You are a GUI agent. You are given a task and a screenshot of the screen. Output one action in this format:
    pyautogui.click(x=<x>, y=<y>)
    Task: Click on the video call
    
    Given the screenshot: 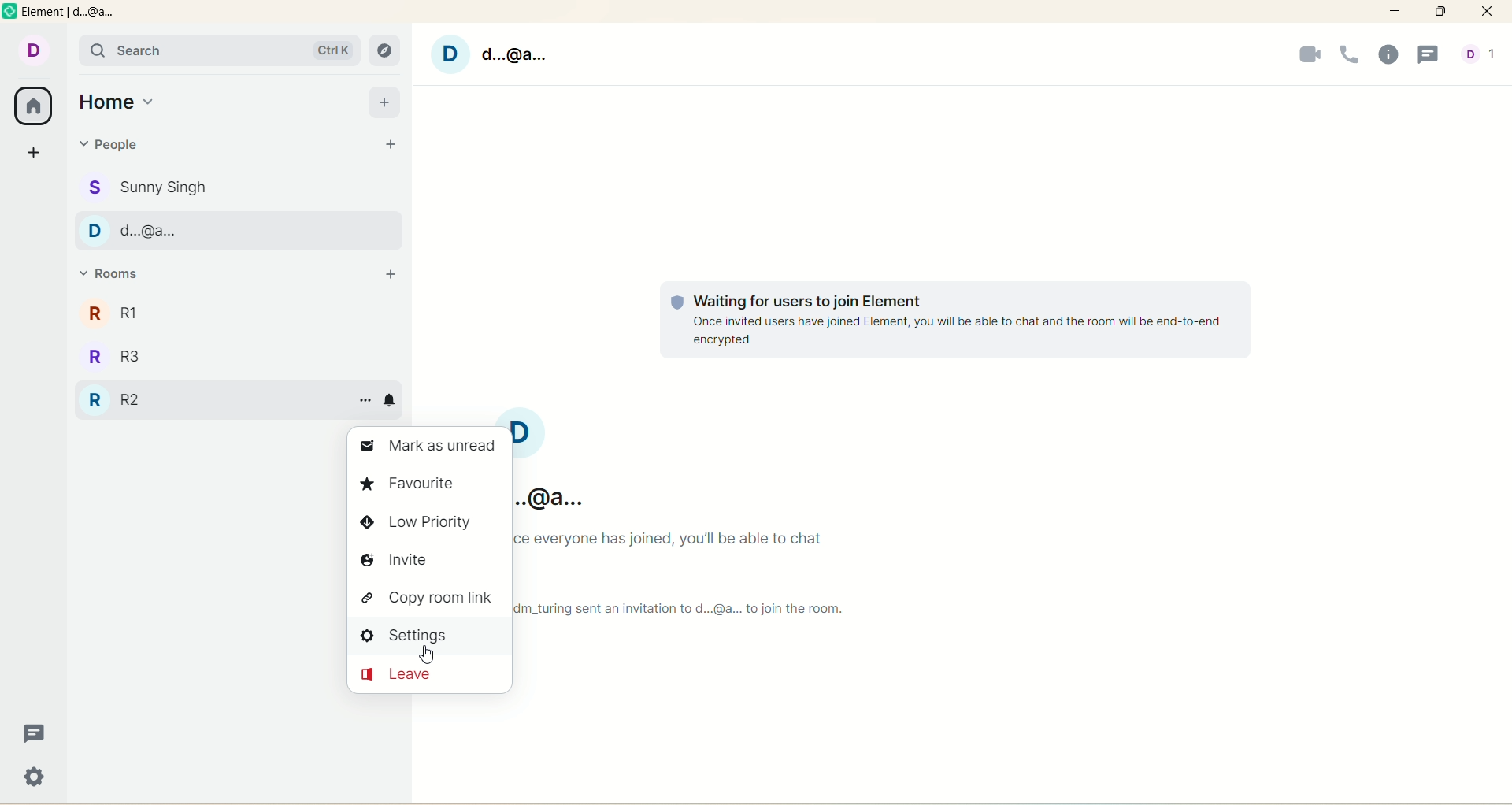 What is the action you would take?
    pyautogui.click(x=1308, y=56)
    